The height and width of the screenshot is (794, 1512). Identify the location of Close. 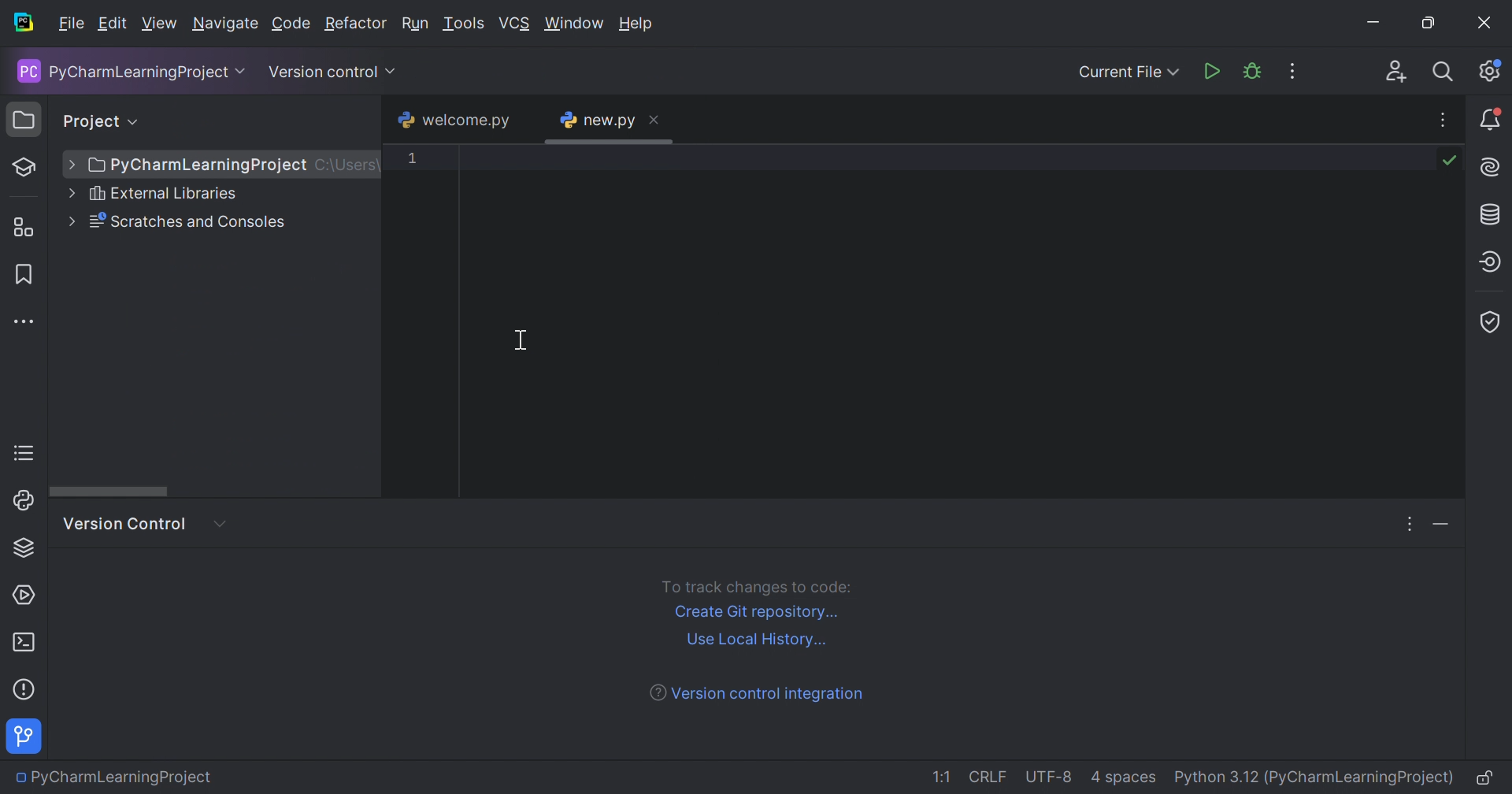
(660, 117).